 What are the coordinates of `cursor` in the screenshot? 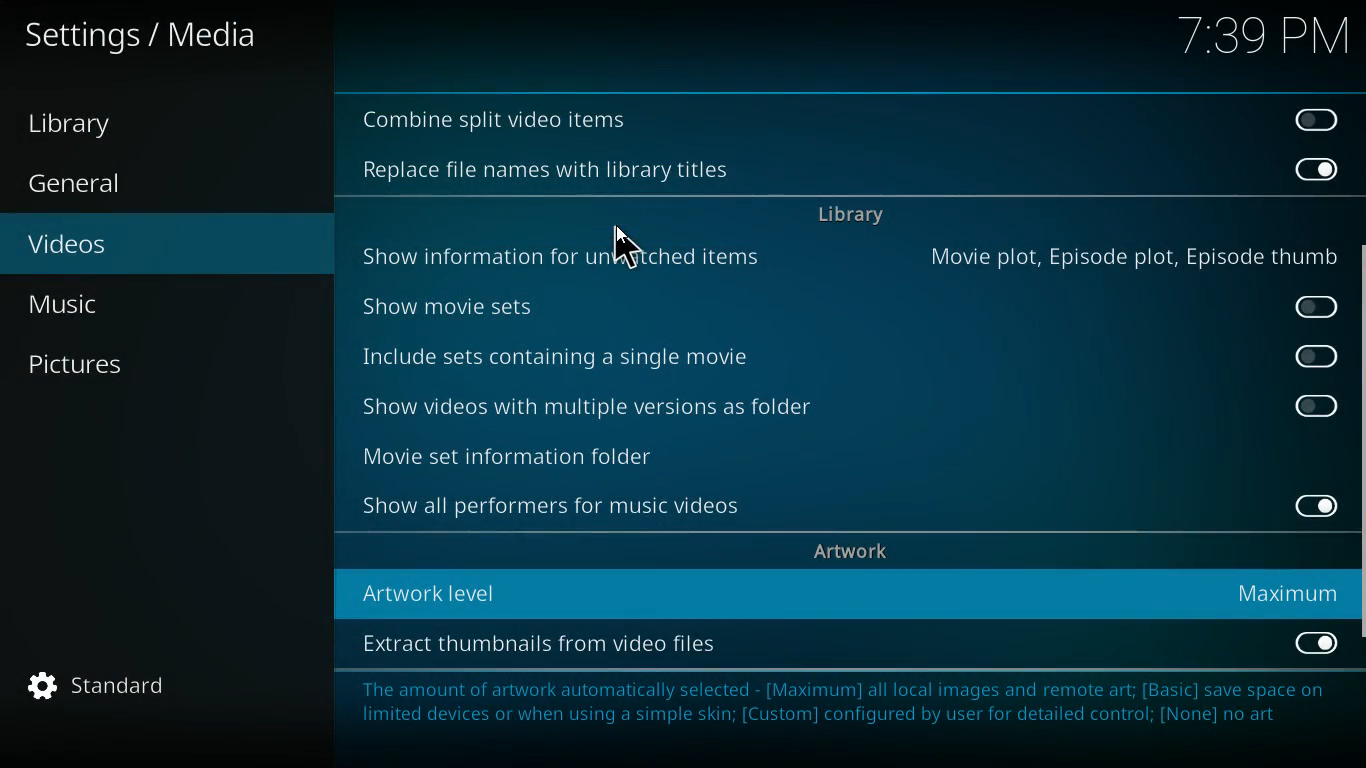 It's located at (632, 249).